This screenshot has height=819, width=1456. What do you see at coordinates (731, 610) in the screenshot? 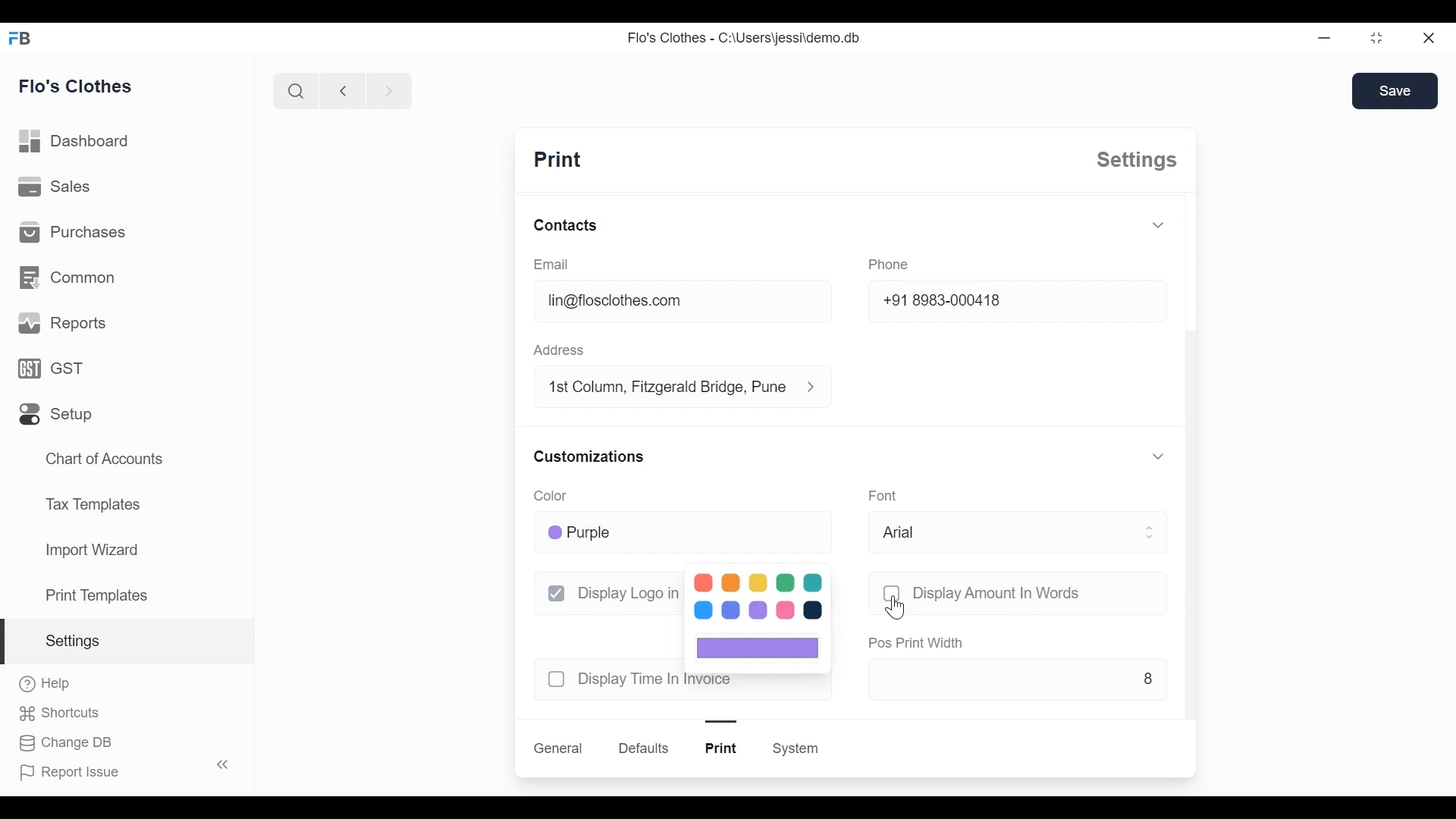
I see `color 7` at bounding box center [731, 610].